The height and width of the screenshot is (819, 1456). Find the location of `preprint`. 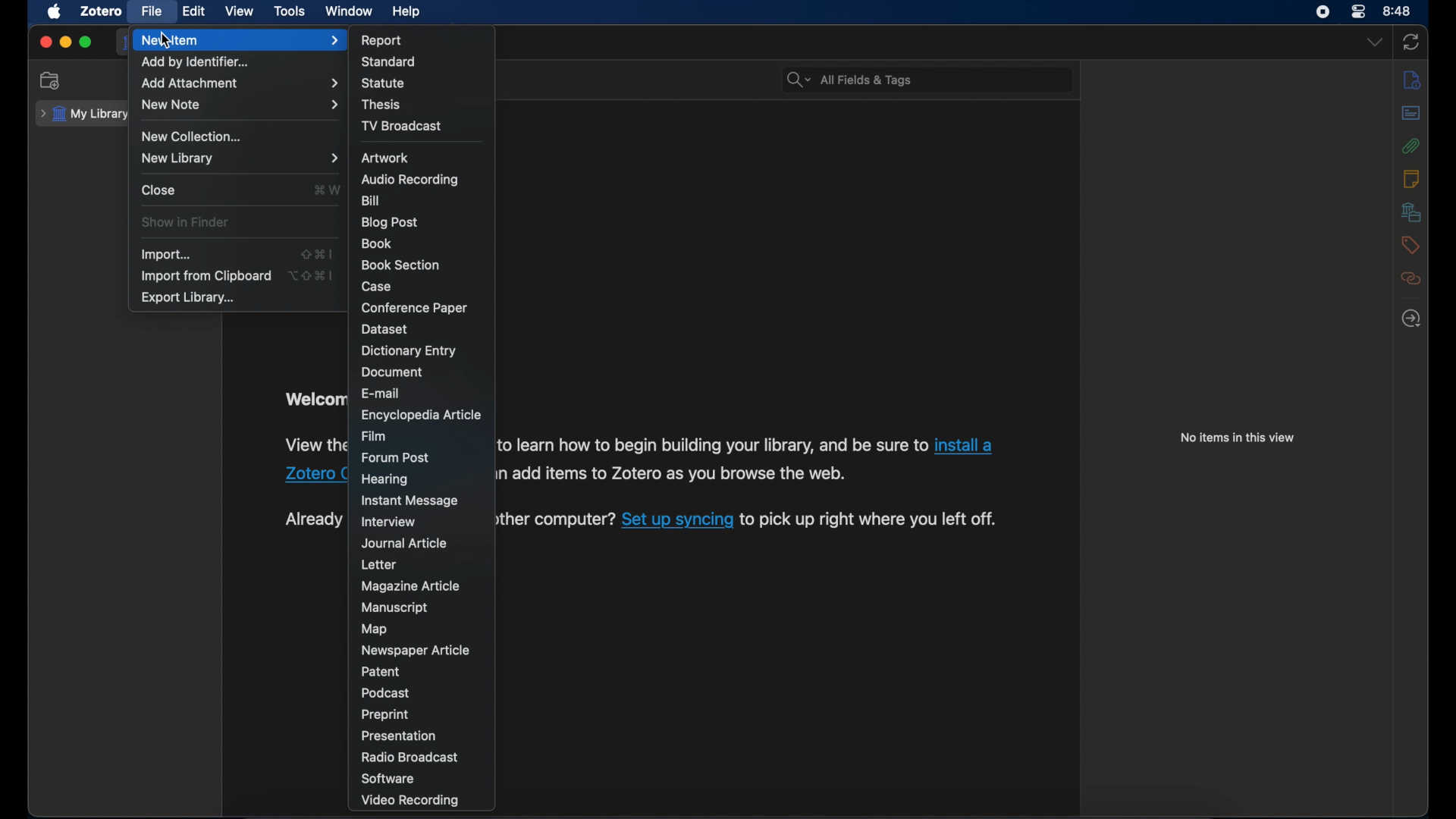

preprint is located at coordinates (386, 715).